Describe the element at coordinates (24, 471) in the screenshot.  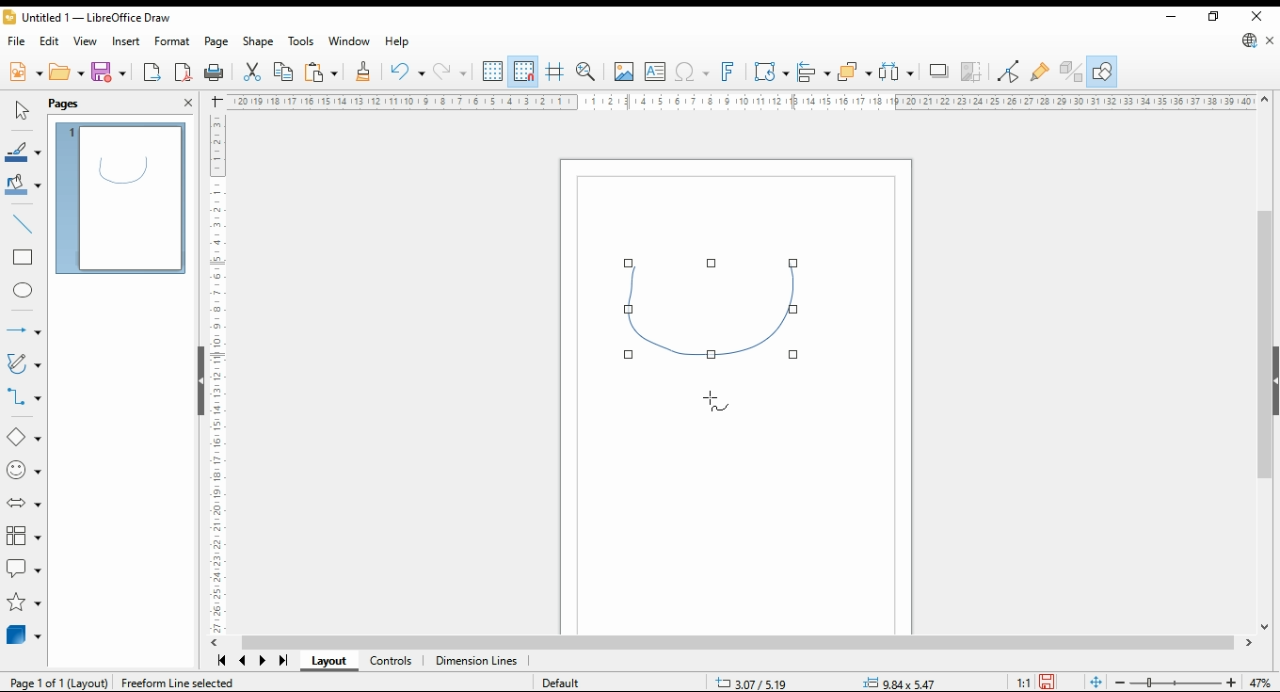
I see `symbol shapes` at that location.